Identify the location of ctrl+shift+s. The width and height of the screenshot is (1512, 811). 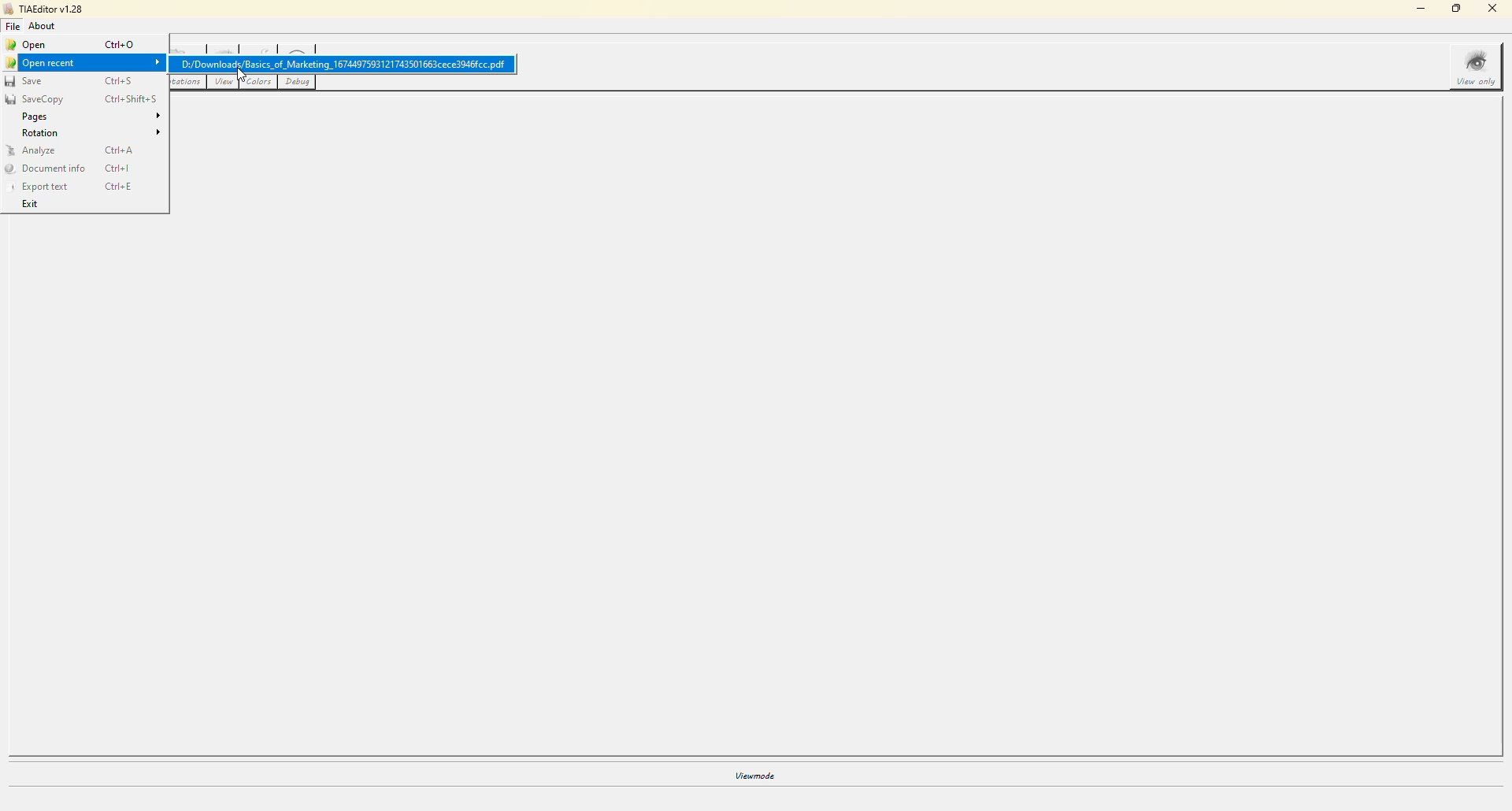
(133, 99).